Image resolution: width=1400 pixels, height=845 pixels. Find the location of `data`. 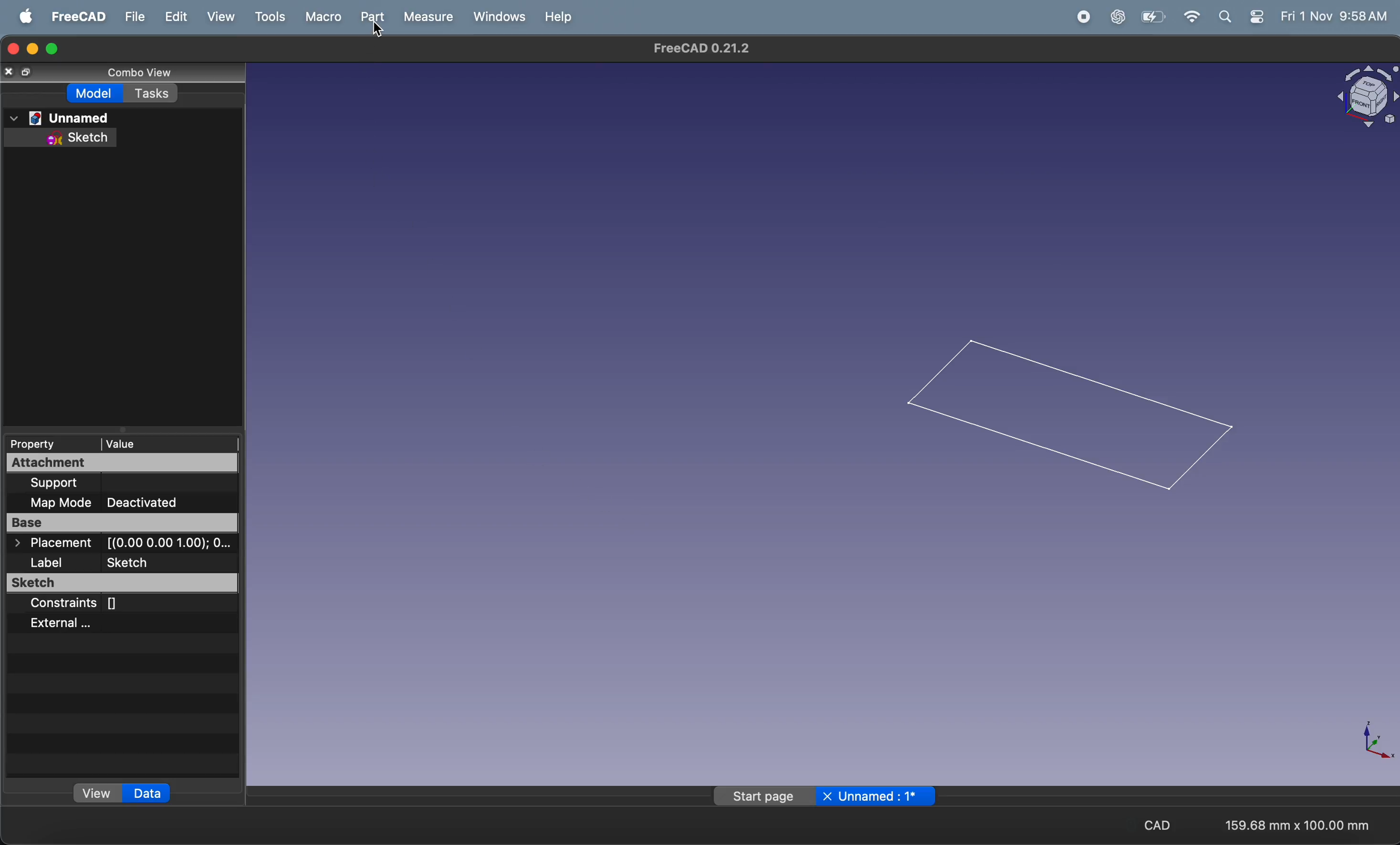

data is located at coordinates (153, 794).